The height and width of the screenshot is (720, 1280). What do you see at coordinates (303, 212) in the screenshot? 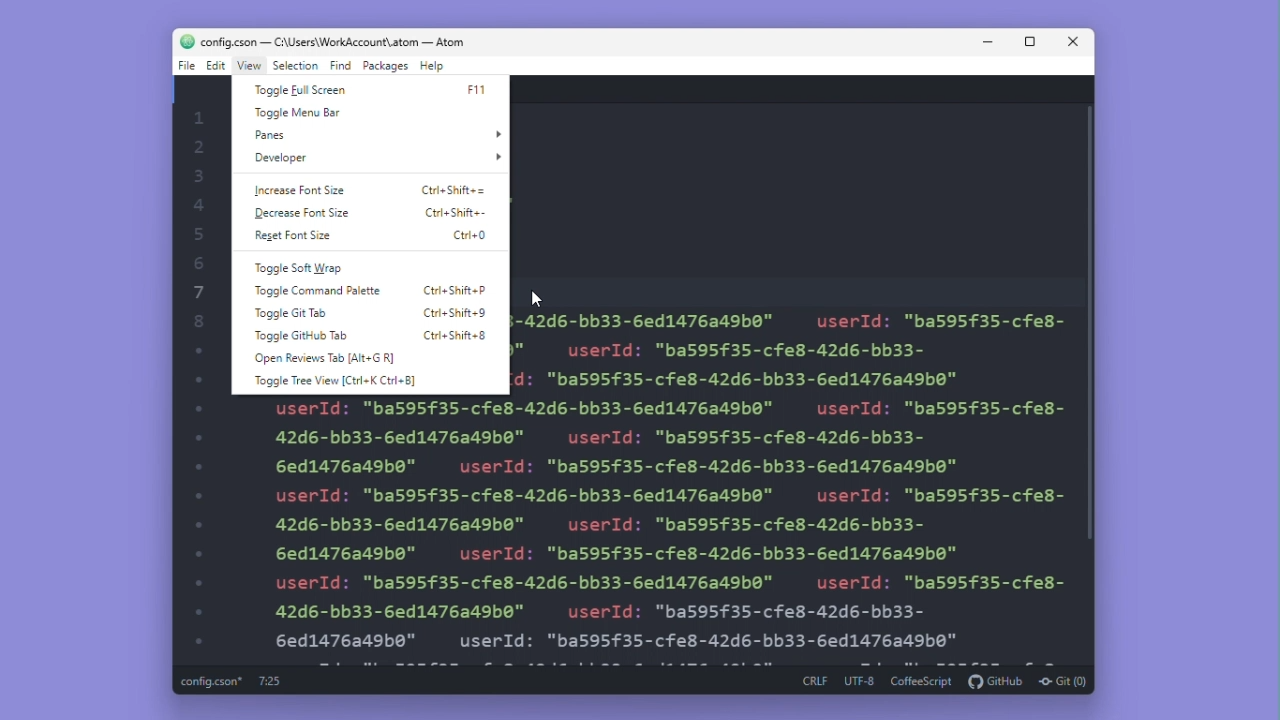
I see `Decrease font size` at bounding box center [303, 212].